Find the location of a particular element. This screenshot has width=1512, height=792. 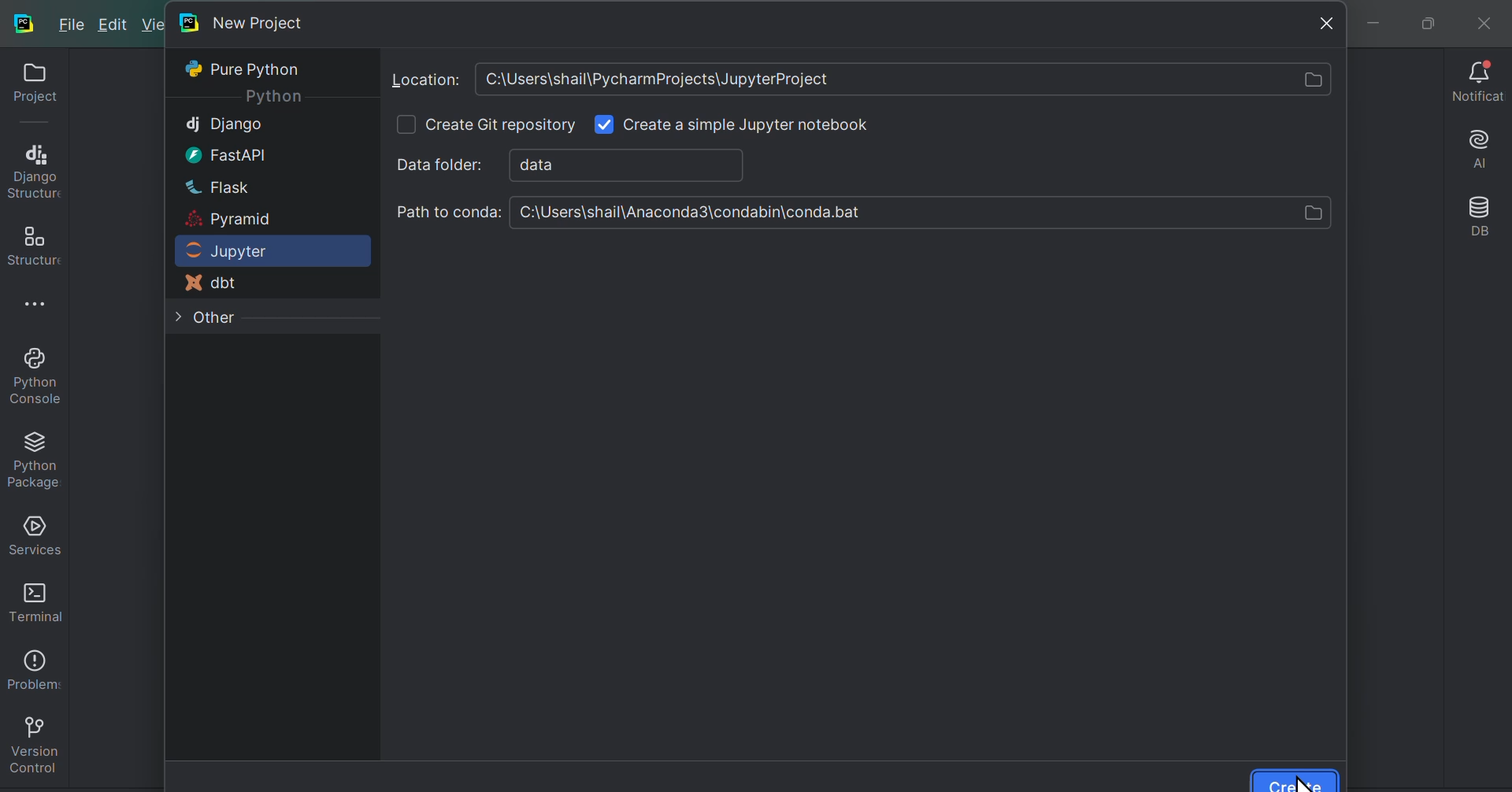

Edit is located at coordinates (118, 25).